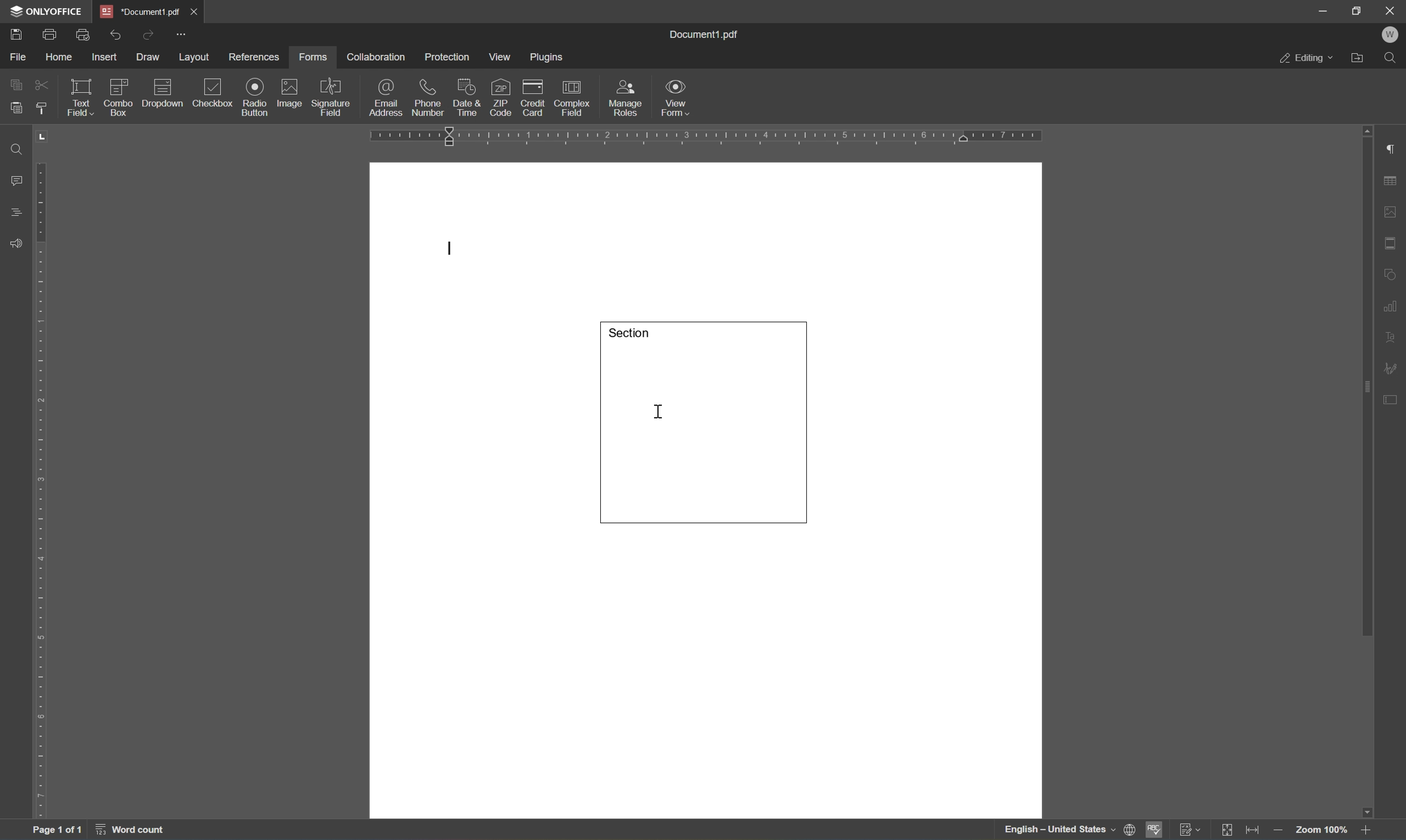 Image resolution: width=1406 pixels, height=840 pixels. What do you see at coordinates (710, 34) in the screenshot?
I see `document.pdf` at bounding box center [710, 34].